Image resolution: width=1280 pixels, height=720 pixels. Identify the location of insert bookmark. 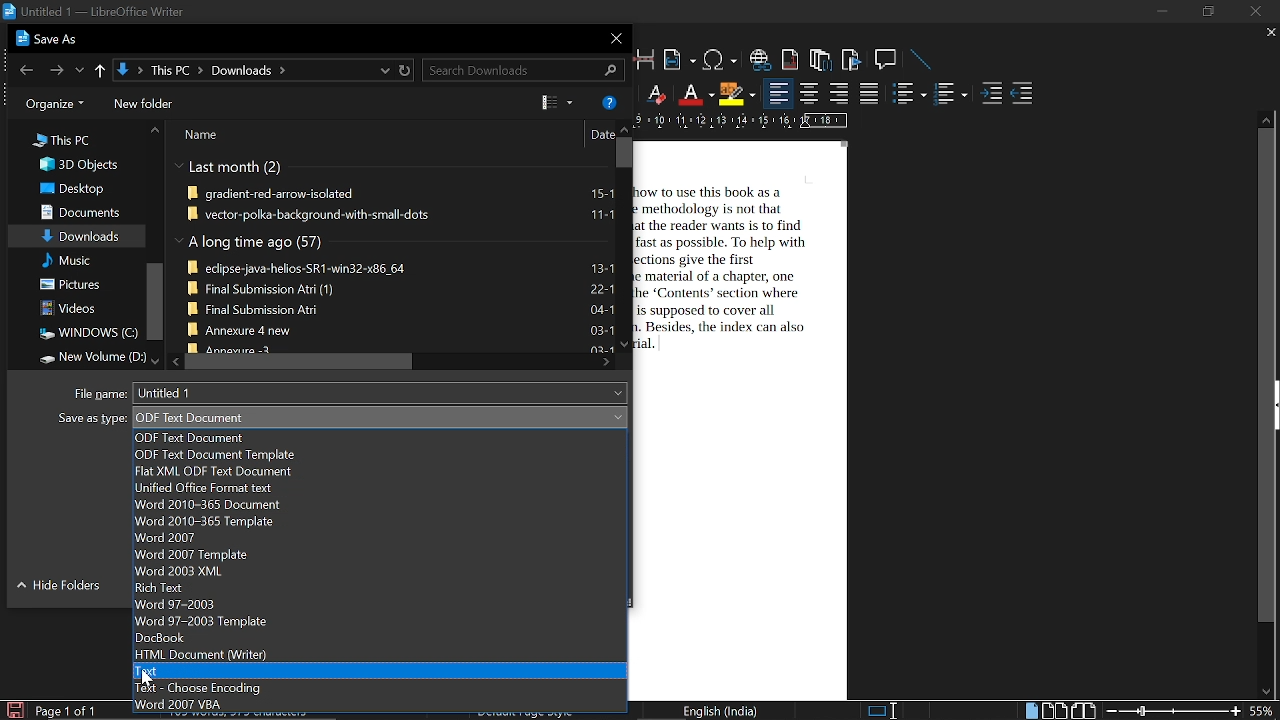
(853, 60).